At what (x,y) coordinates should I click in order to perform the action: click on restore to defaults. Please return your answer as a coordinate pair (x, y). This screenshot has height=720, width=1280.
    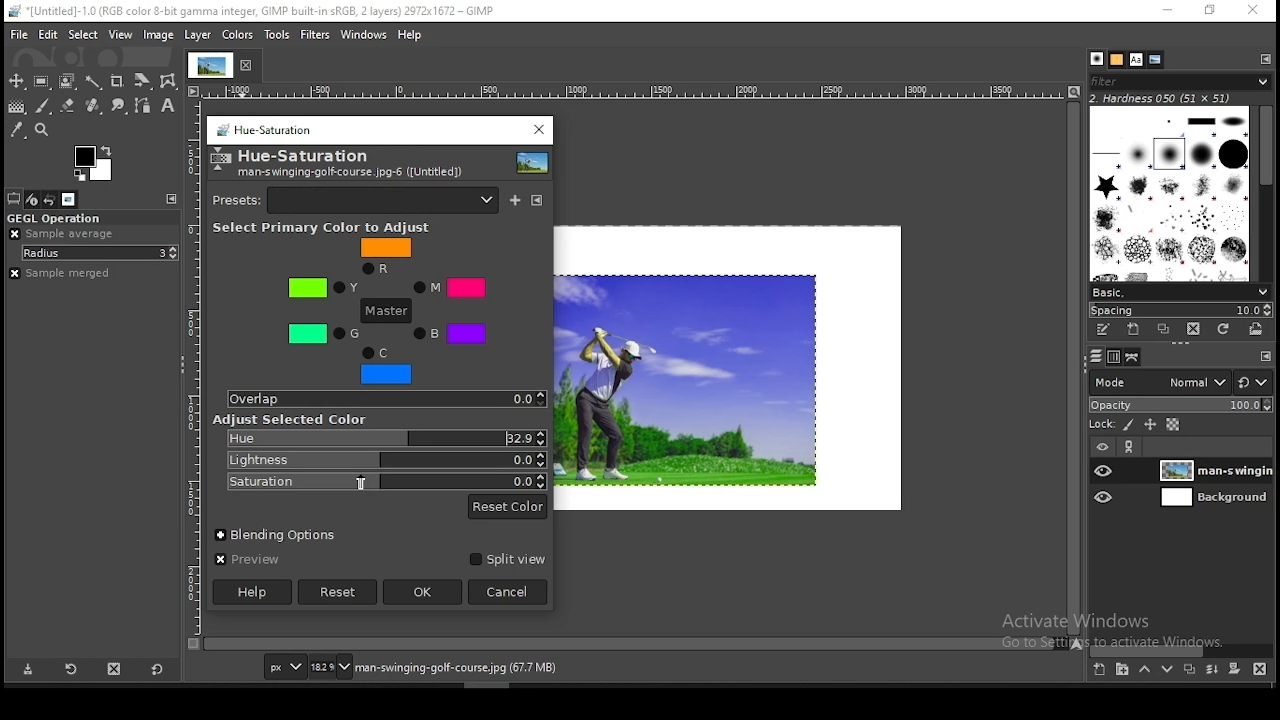
    Looking at the image, I should click on (156, 669).